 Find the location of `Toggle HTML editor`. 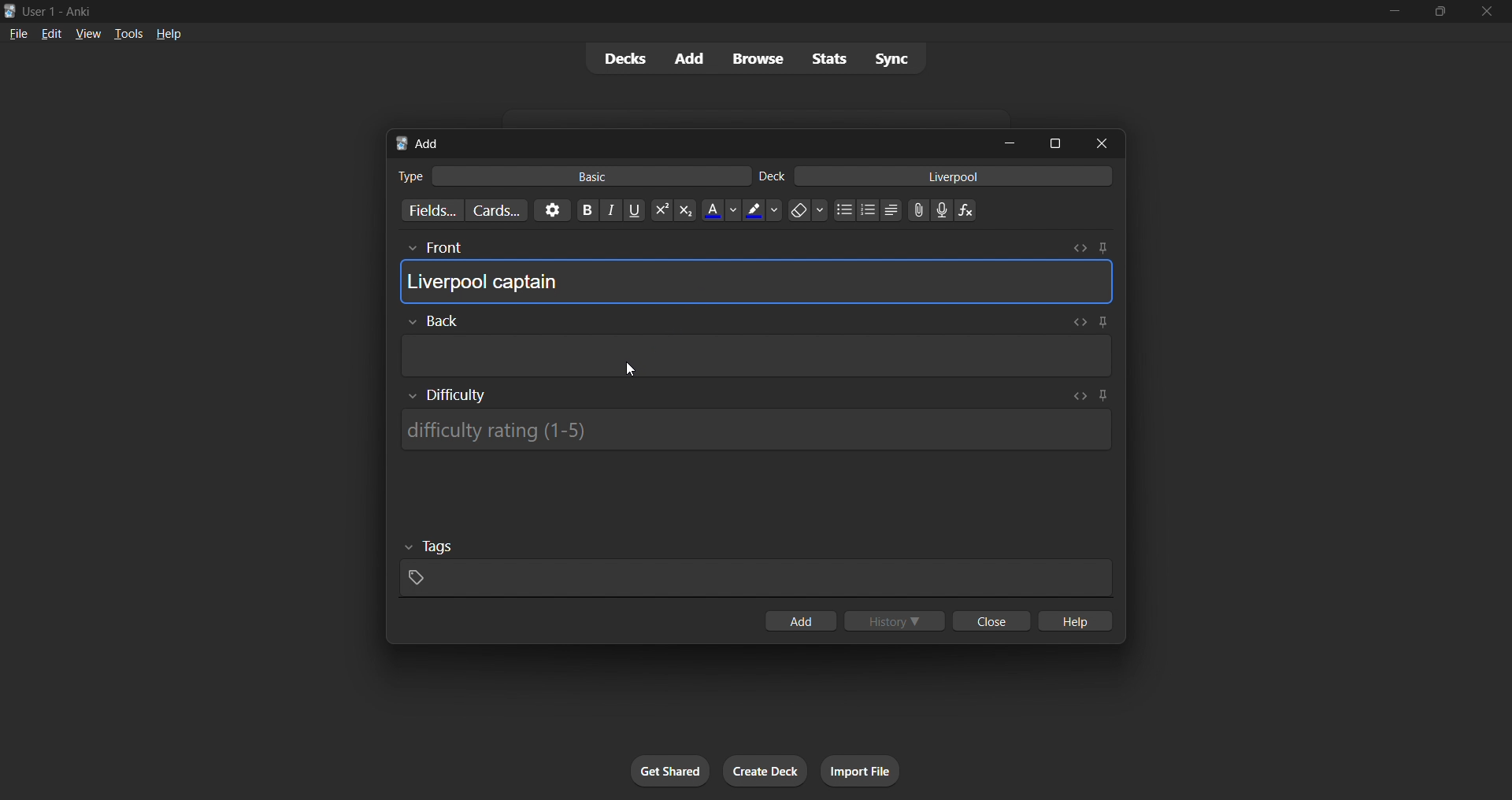

Toggle HTML editor is located at coordinates (1080, 248).